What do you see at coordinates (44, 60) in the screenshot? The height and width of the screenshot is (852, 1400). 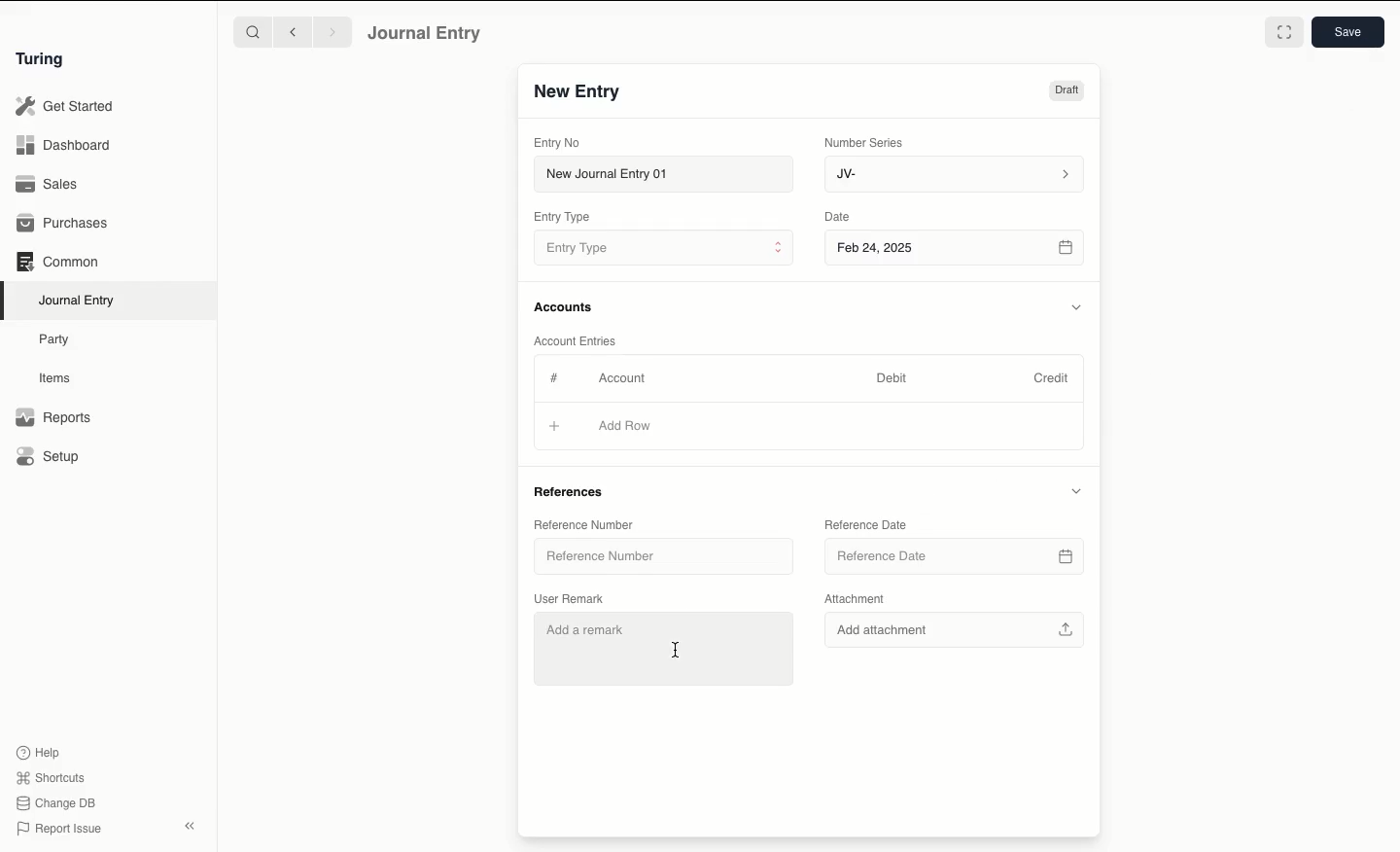 I see `Turing` at bounding box center [44, 60].